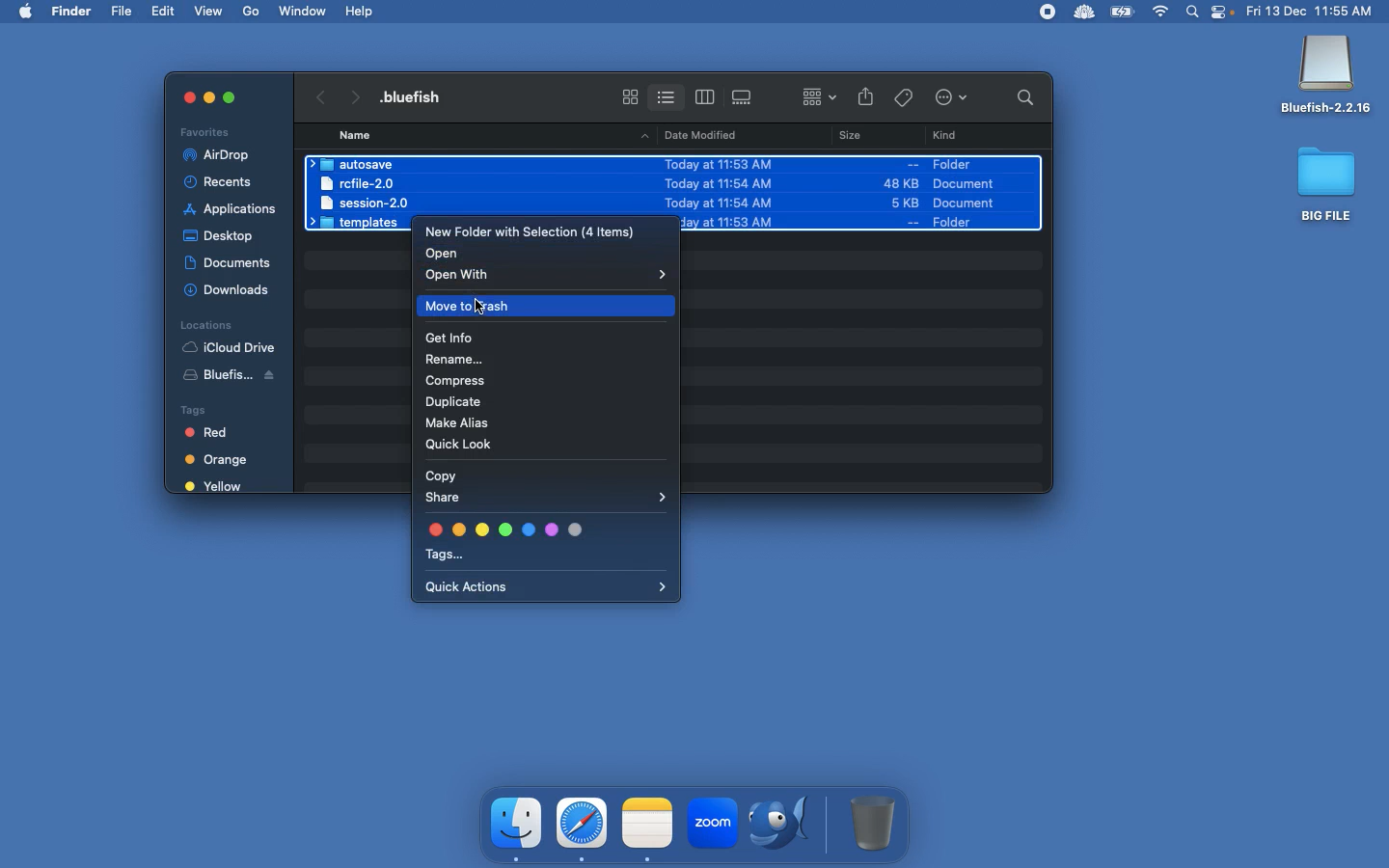  I want to click on note, so click(647, 821).